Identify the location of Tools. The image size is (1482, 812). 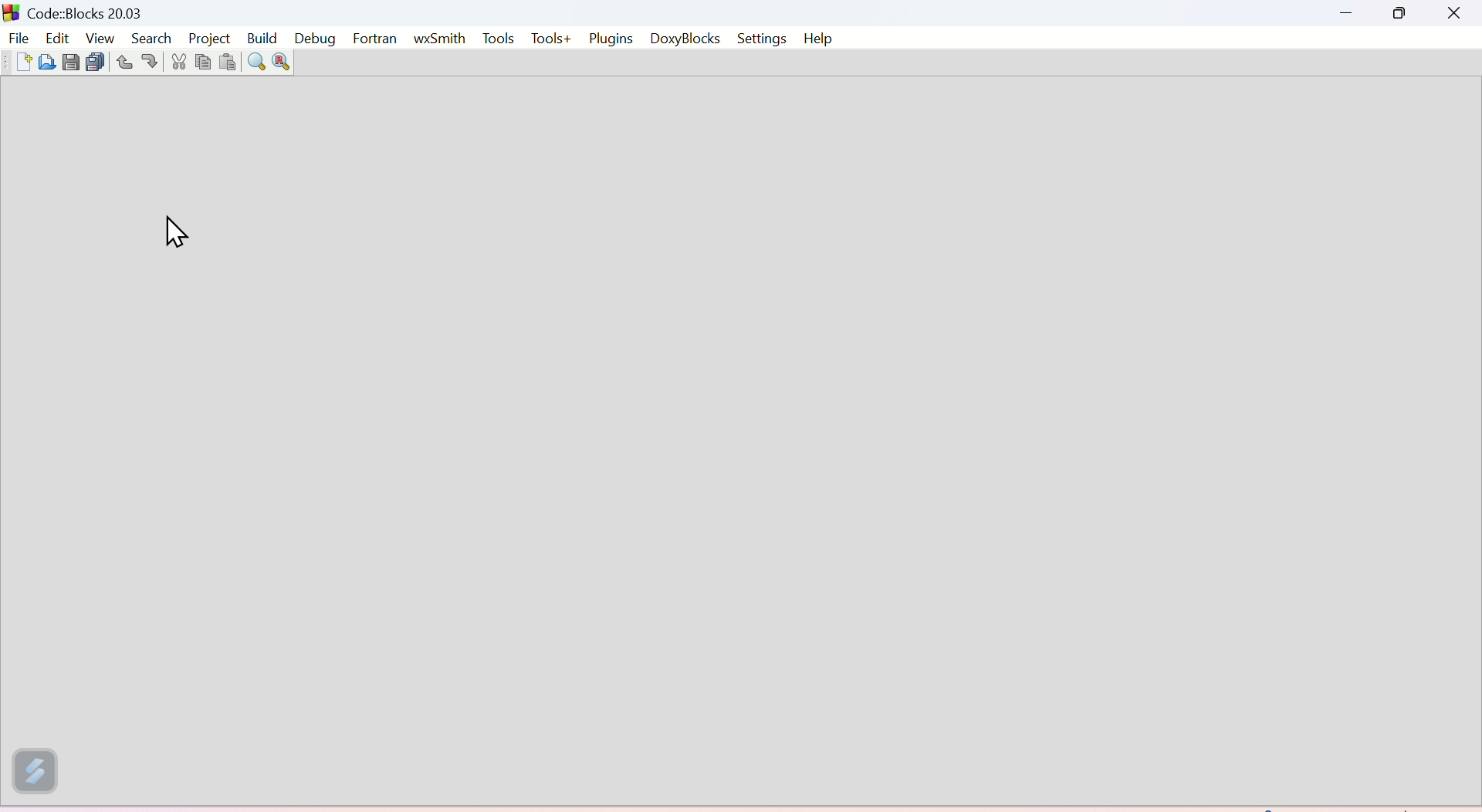
(496, 37).